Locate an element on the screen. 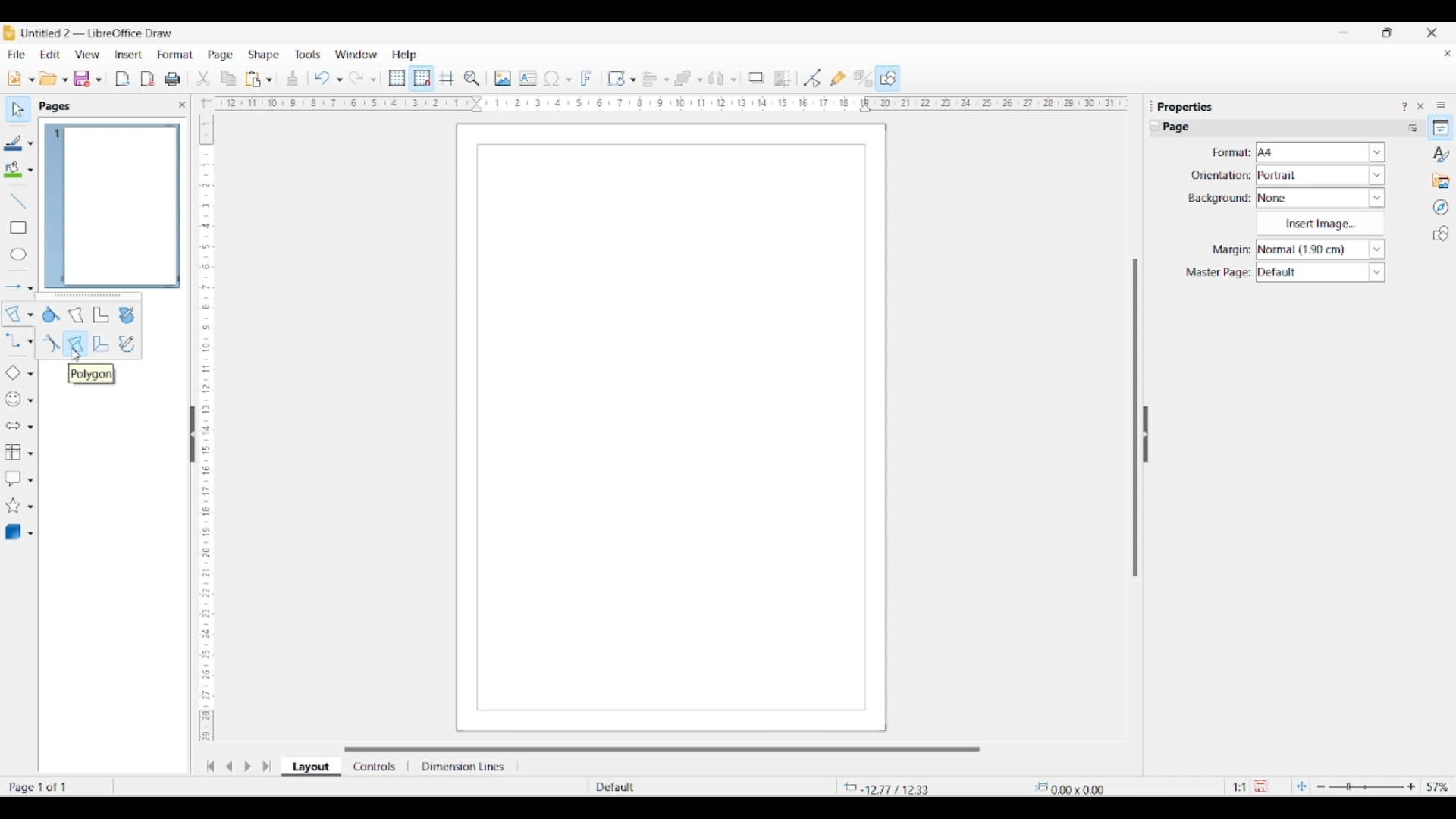 This screenshot has height=819, width=1456. Selected arrow is located at coordinates (14, 287).